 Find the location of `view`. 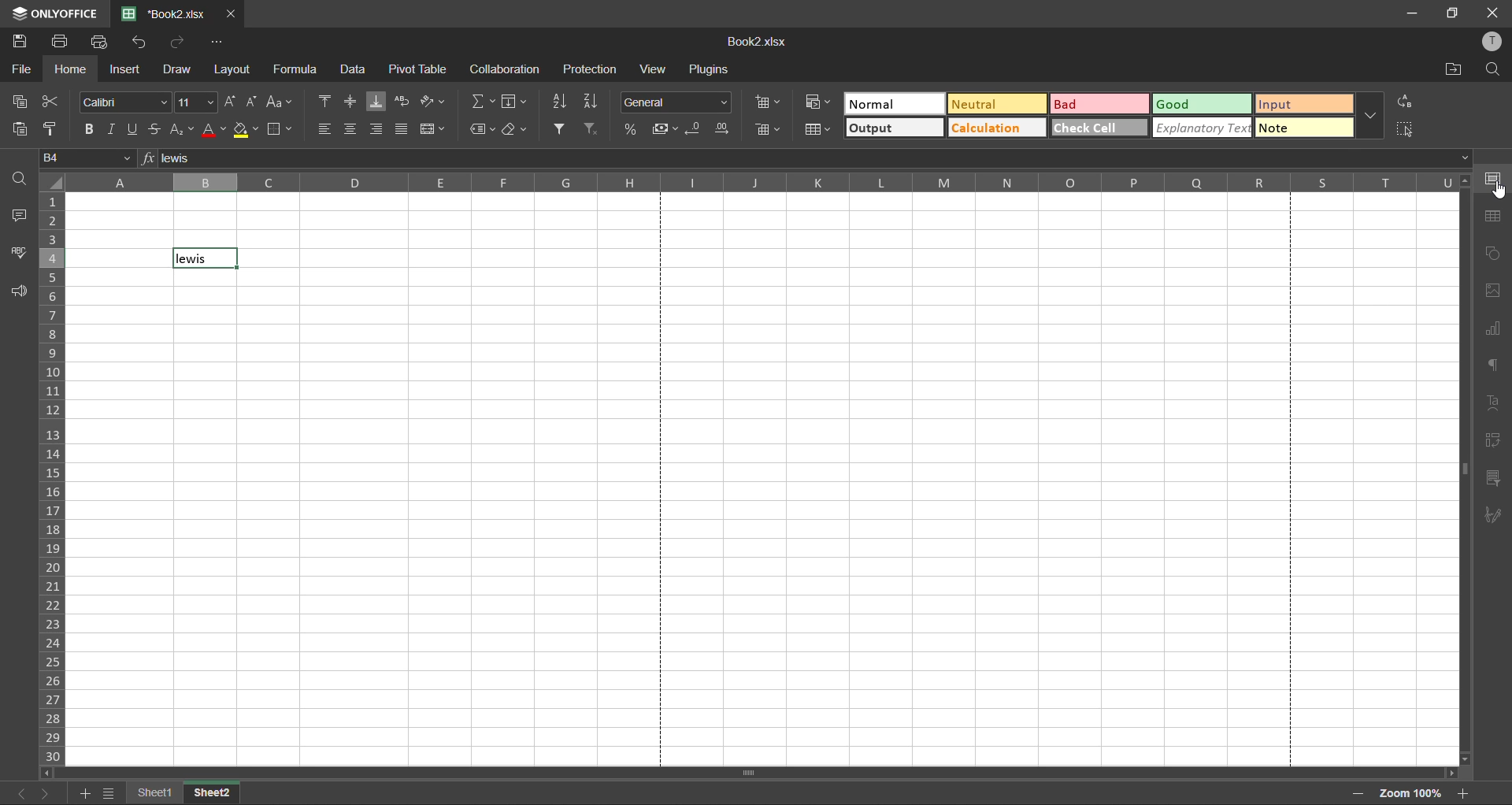

view is located at coordinates (658, 69).